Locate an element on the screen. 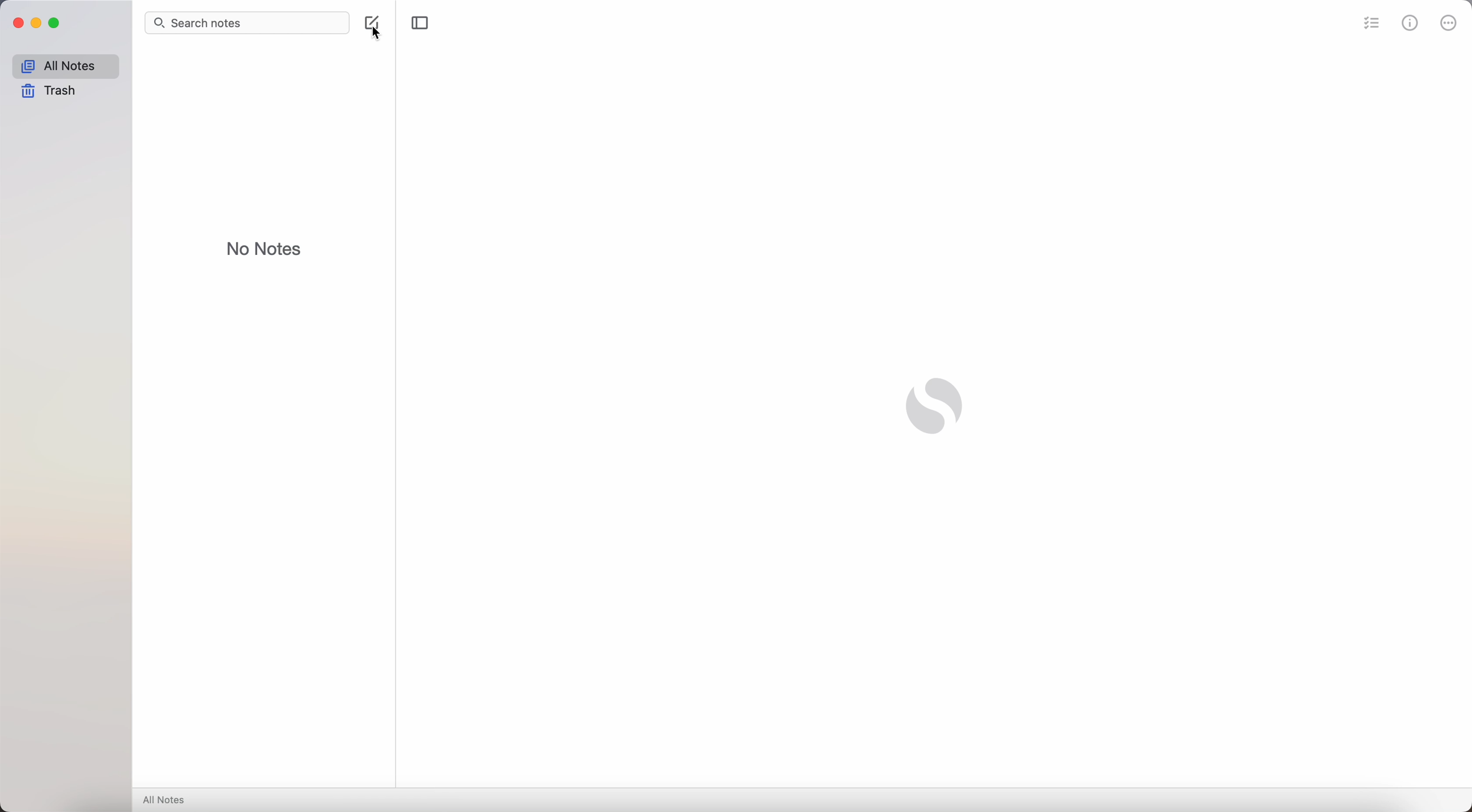  all notes is located at coordinates (65, 66).